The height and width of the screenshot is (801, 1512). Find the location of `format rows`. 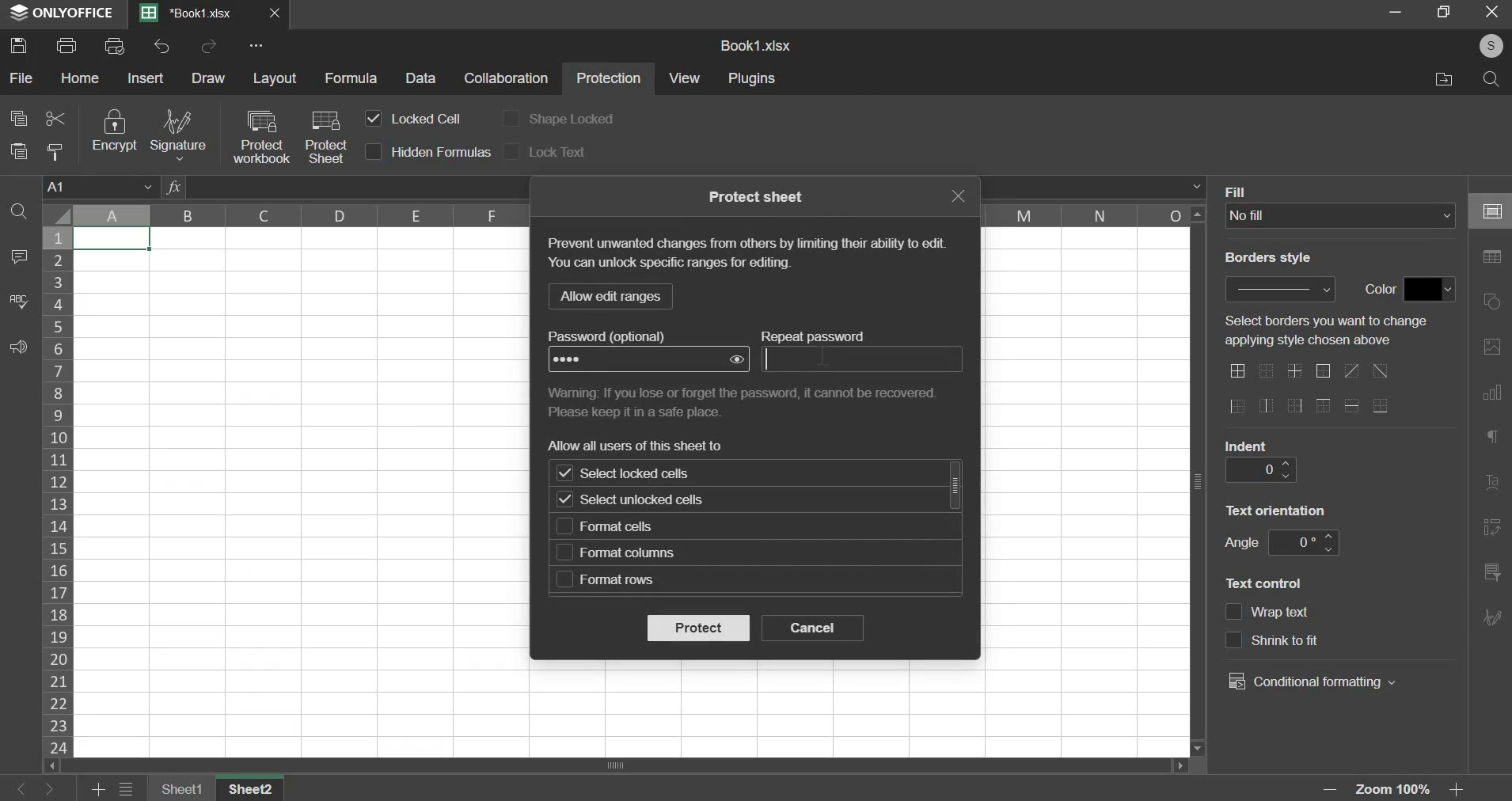

format rows is located at coordinates (617, 580).